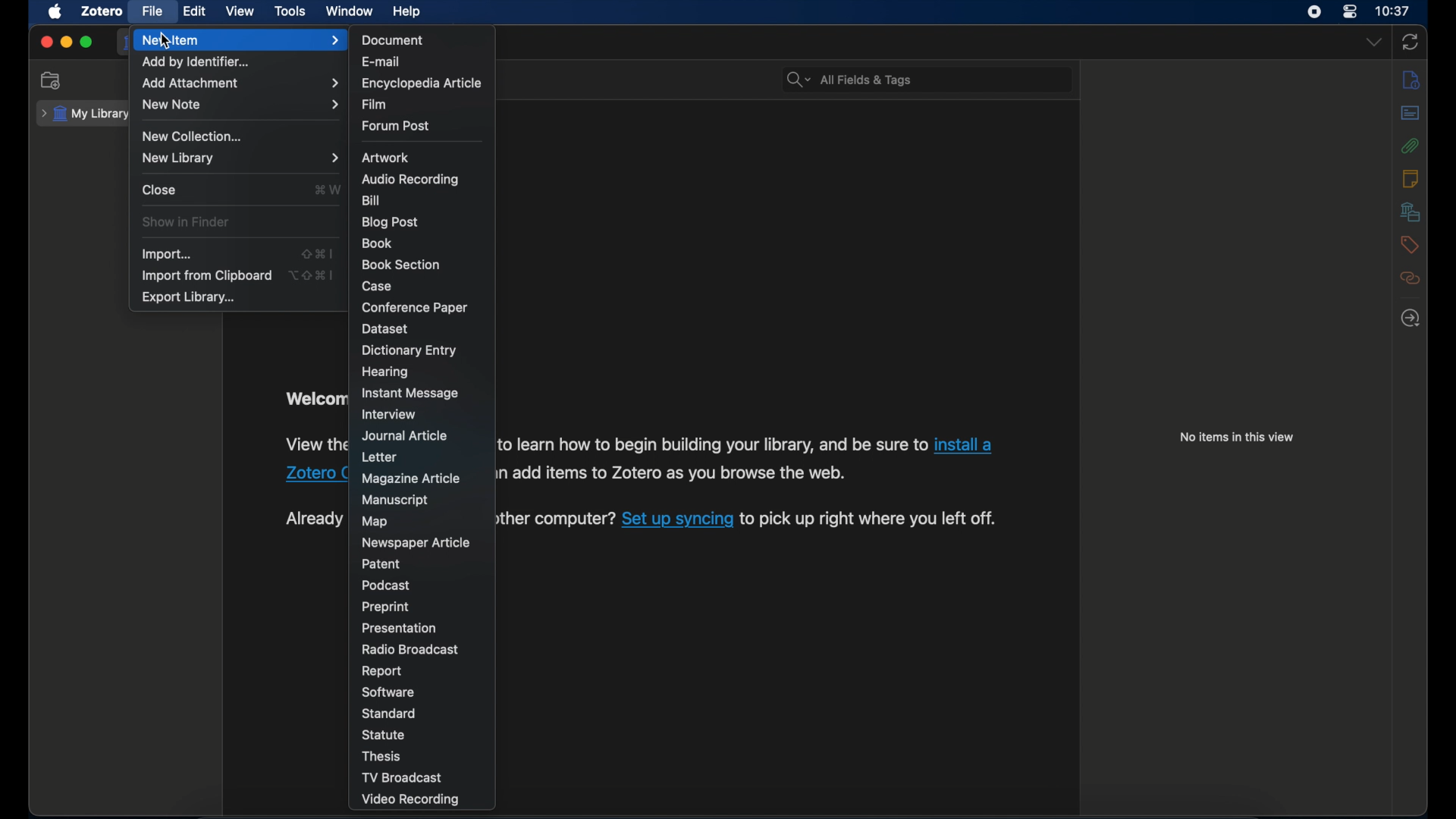 The height and width of the screenshot is (819, 1456). What do you see at coordinates (390, 692) in the screenshot?
I see `software` at bounding box center [390, 692].